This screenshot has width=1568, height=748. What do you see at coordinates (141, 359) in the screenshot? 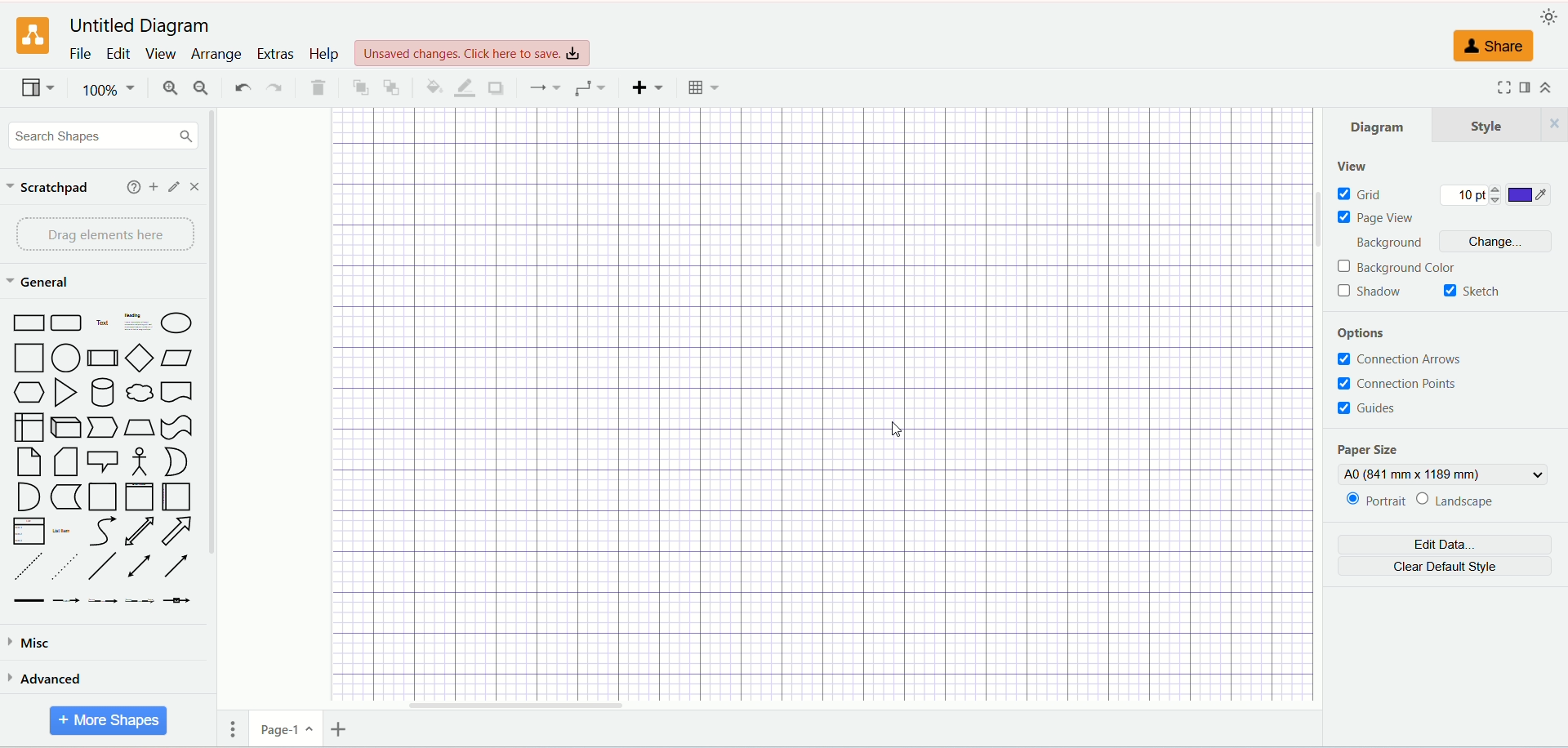
I see `Diamond` at bounding box center [141, 359].